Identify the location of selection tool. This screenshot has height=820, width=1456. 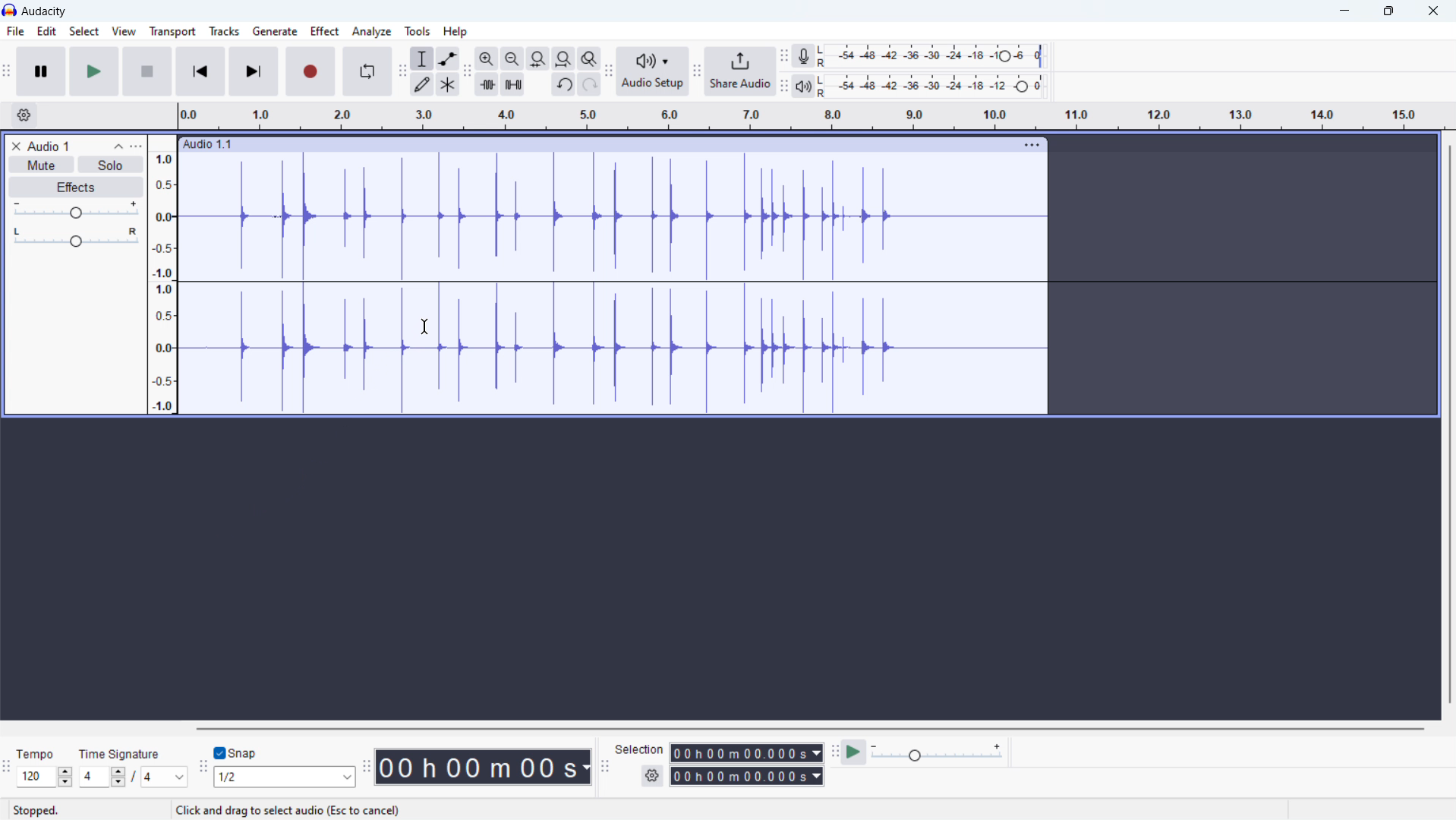
(422, 58).